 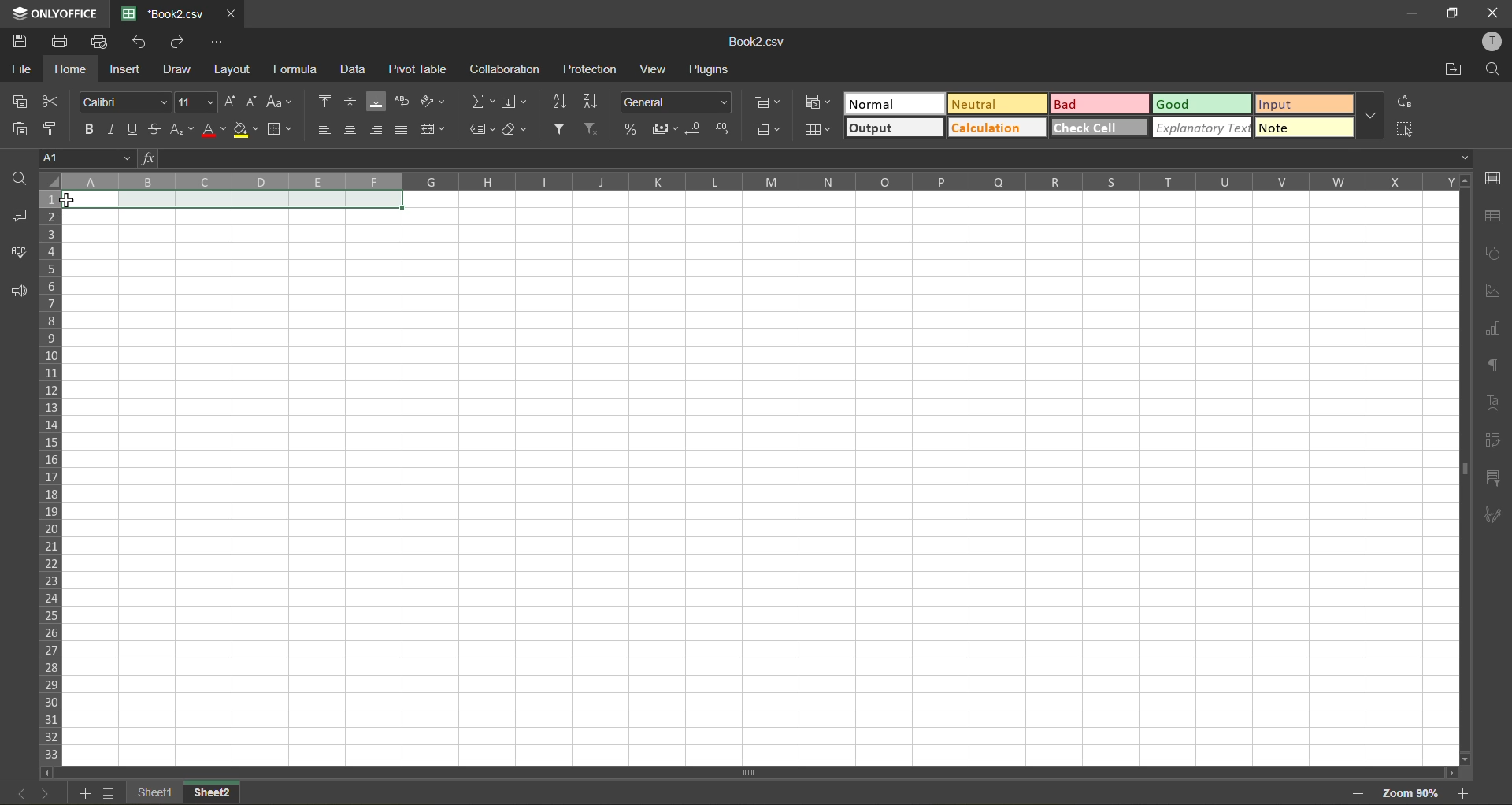 What do you see at coordinates (325, 103) in the screenshot?
I see `align top` at bounding box center [325, 103].